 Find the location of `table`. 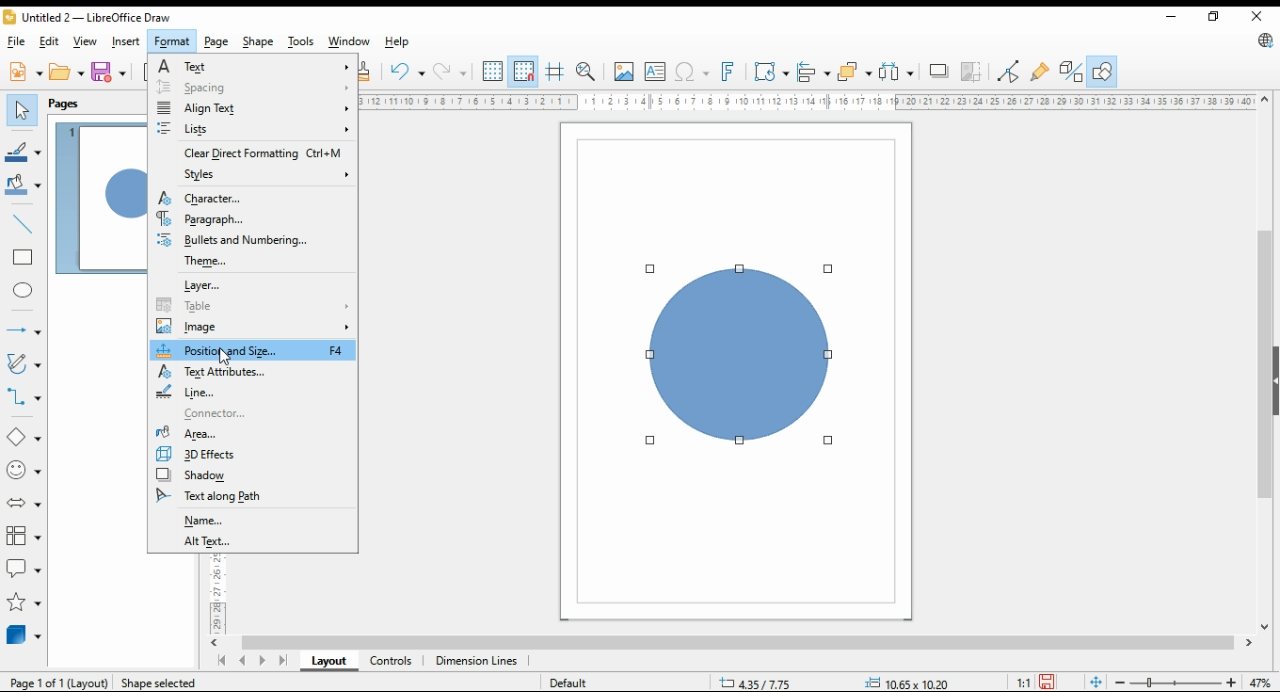

table is located at coordinates (251, 304).